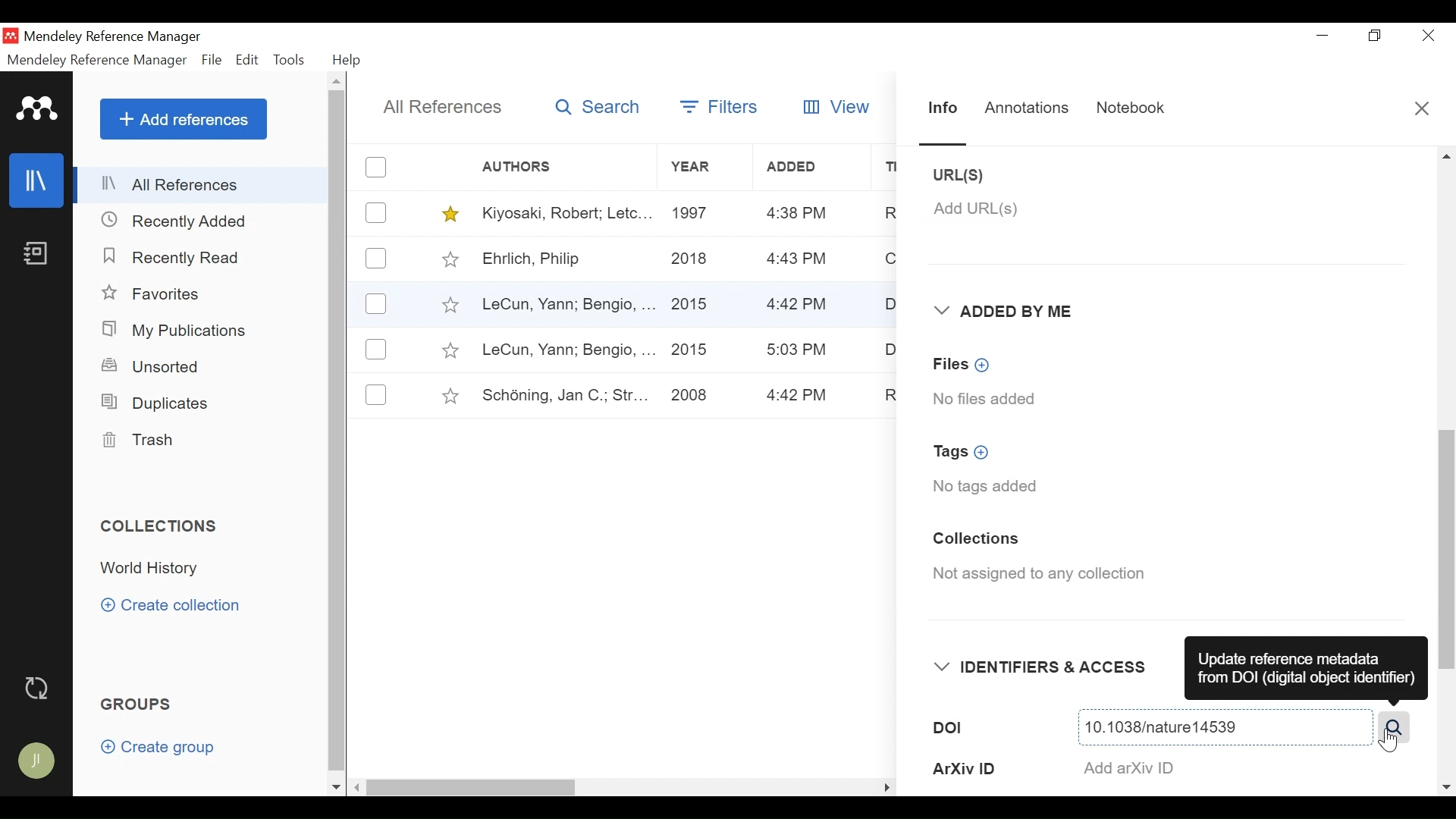 The height and width of the screenshot is (819, 1456). I want to click on (un)select, so click(375, 349).